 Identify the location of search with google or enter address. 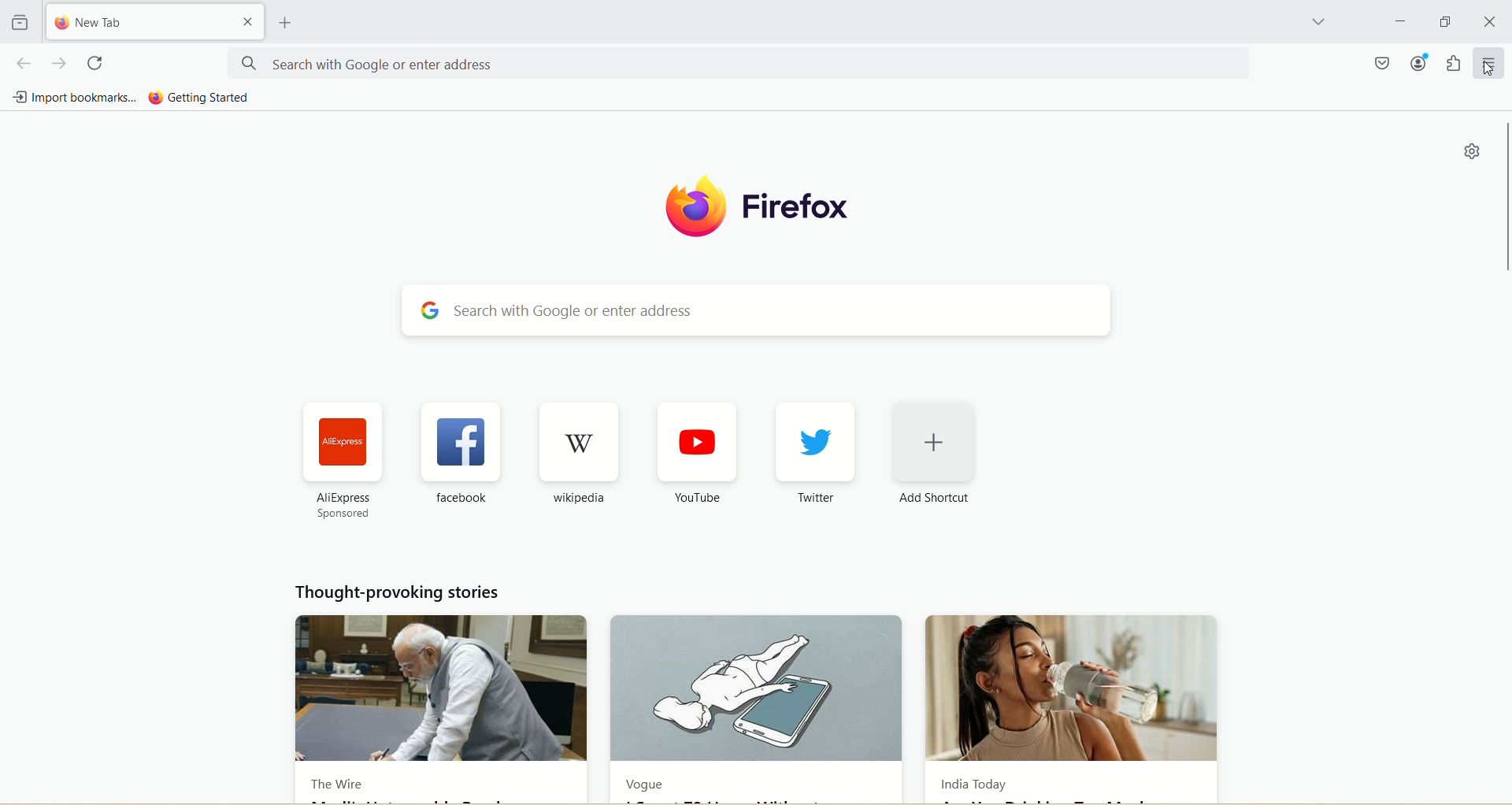
(736, 63).